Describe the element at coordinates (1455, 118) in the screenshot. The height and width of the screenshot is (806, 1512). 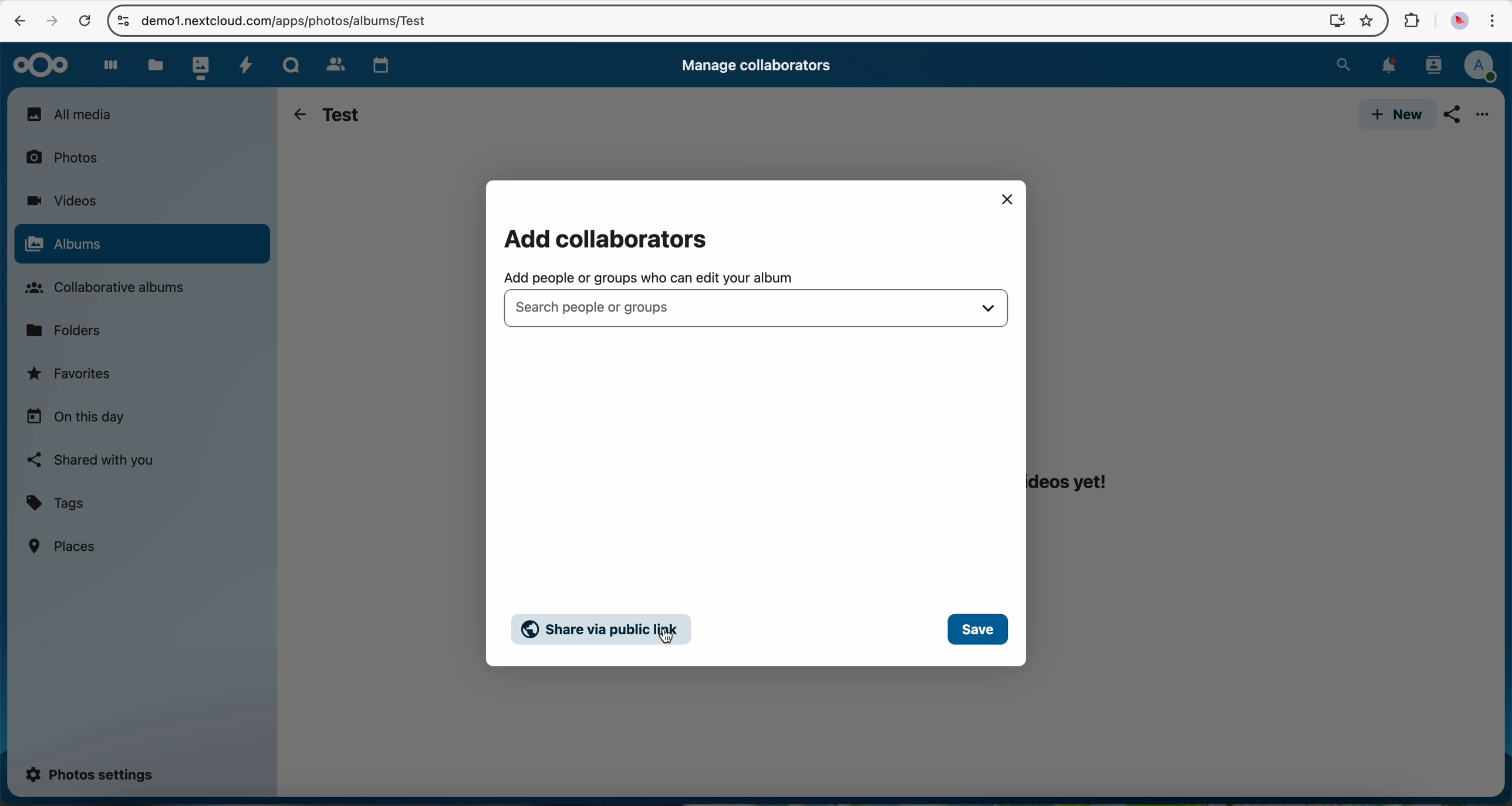
I see `click on share` at that location.